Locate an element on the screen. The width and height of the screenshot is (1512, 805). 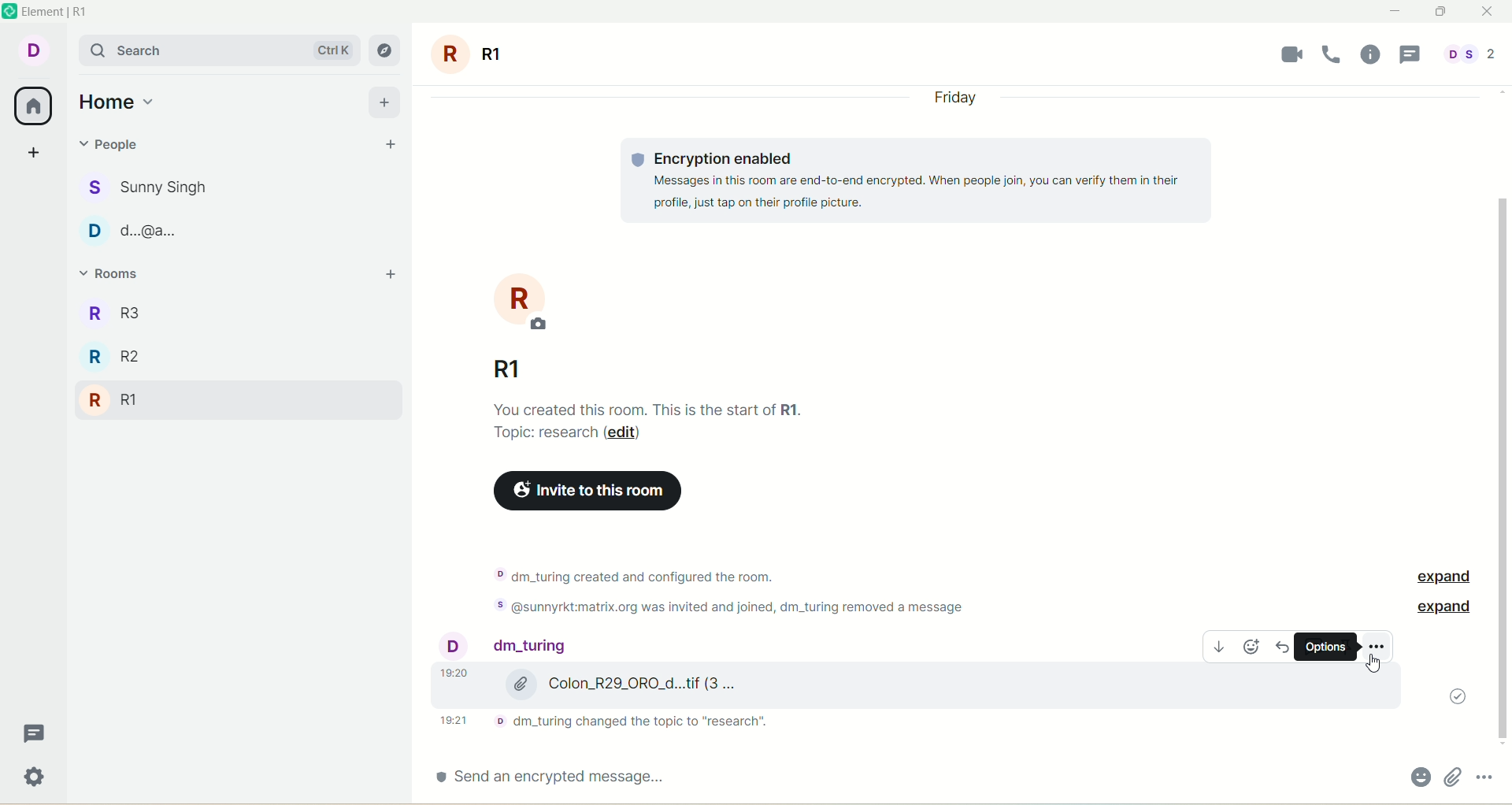
room name is located at coordinates (500, 364).